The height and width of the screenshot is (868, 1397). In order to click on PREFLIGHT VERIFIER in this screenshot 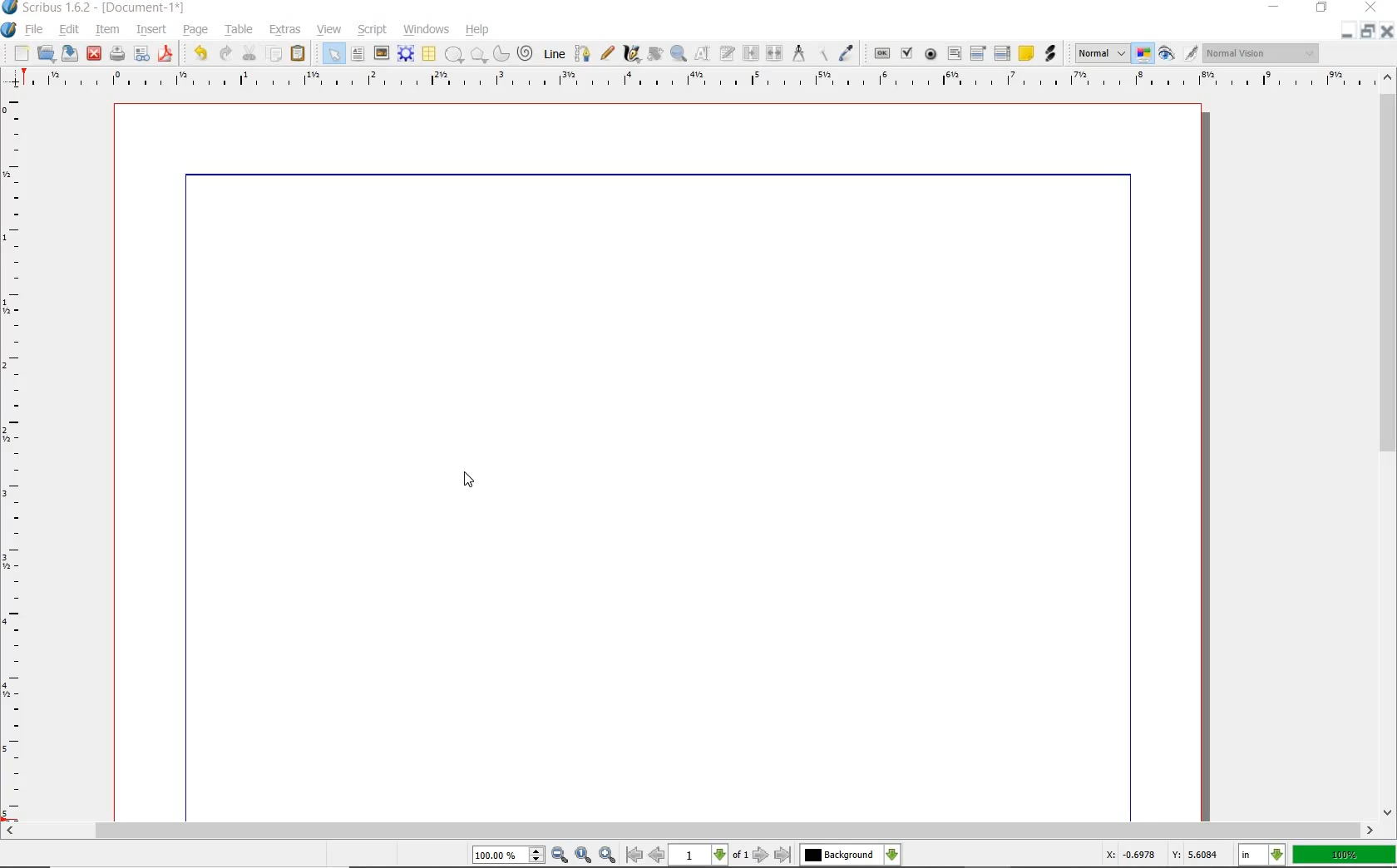, I will do `click(141, 52)`.